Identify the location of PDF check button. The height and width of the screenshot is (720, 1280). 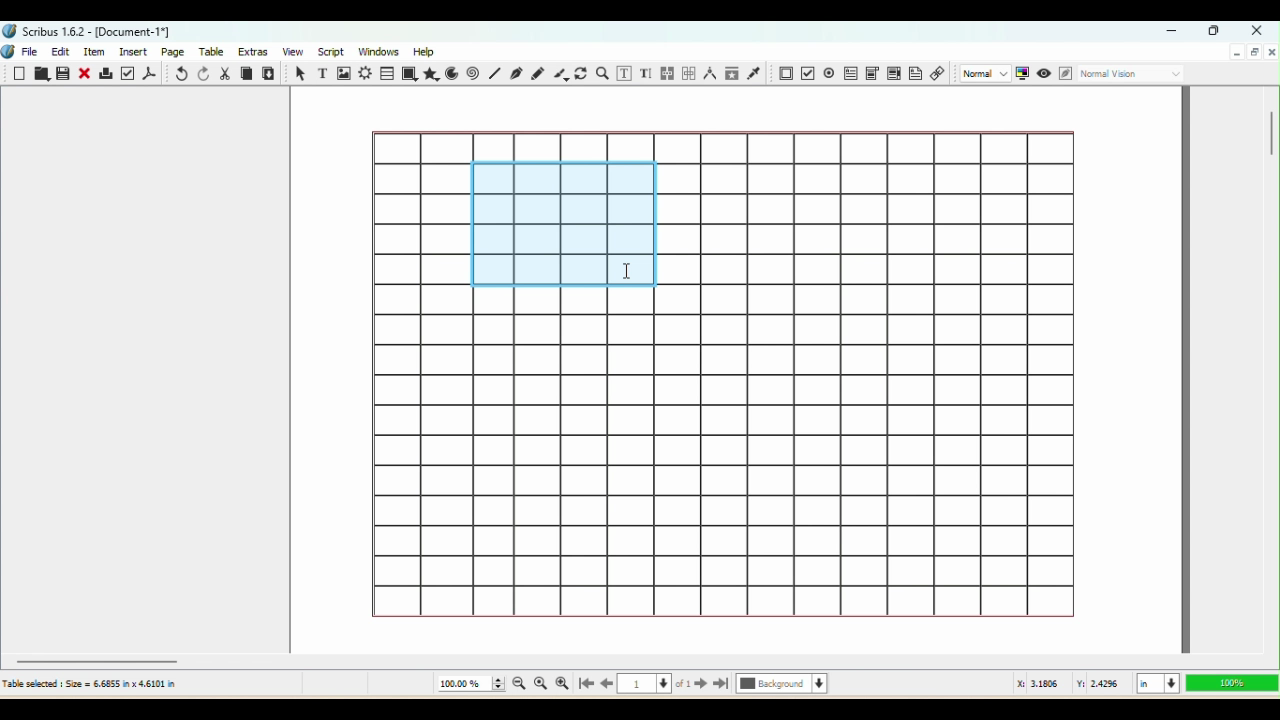
(829, 72).